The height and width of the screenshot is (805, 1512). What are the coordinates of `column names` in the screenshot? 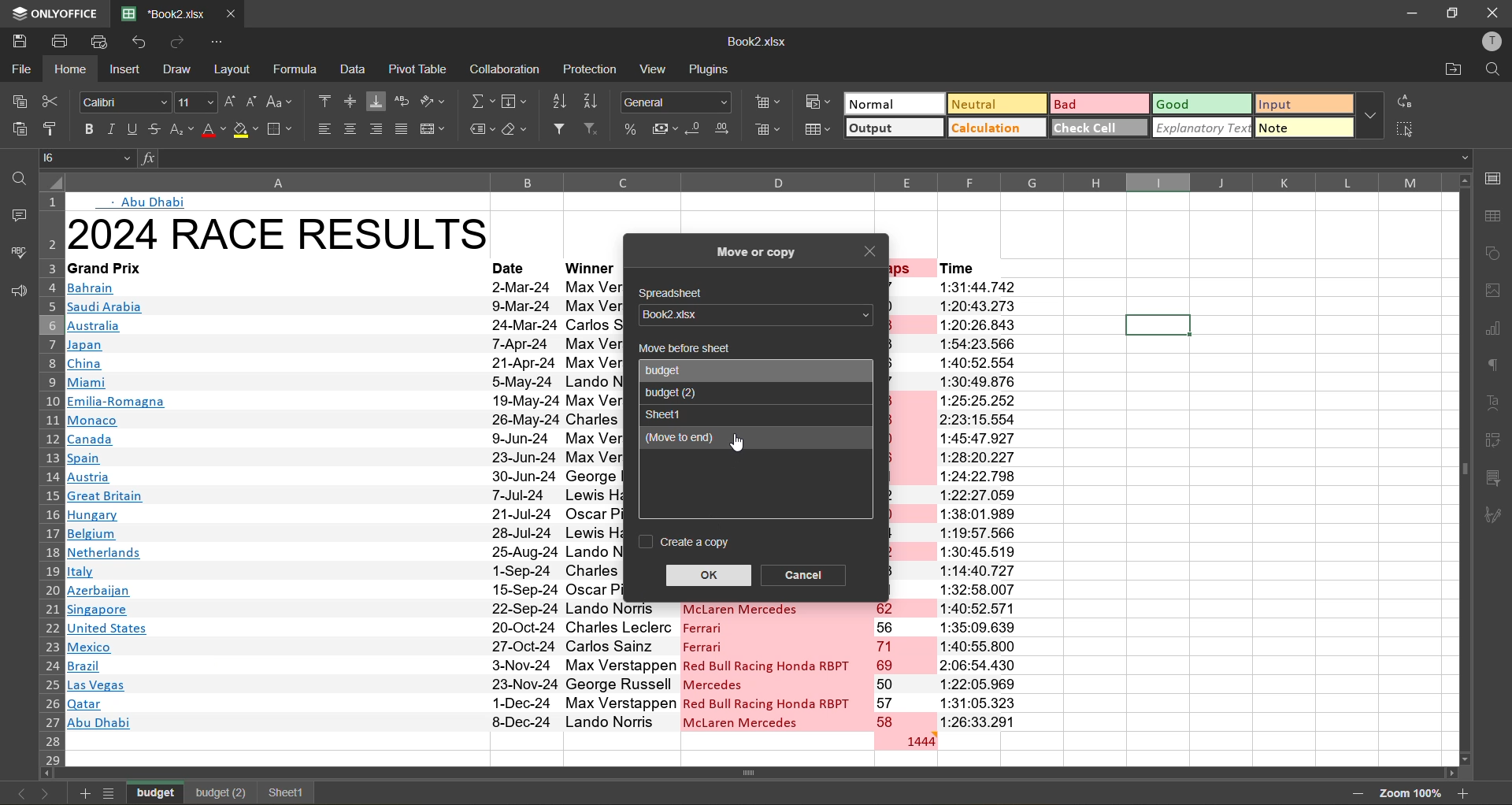 It's located at (750, 182).